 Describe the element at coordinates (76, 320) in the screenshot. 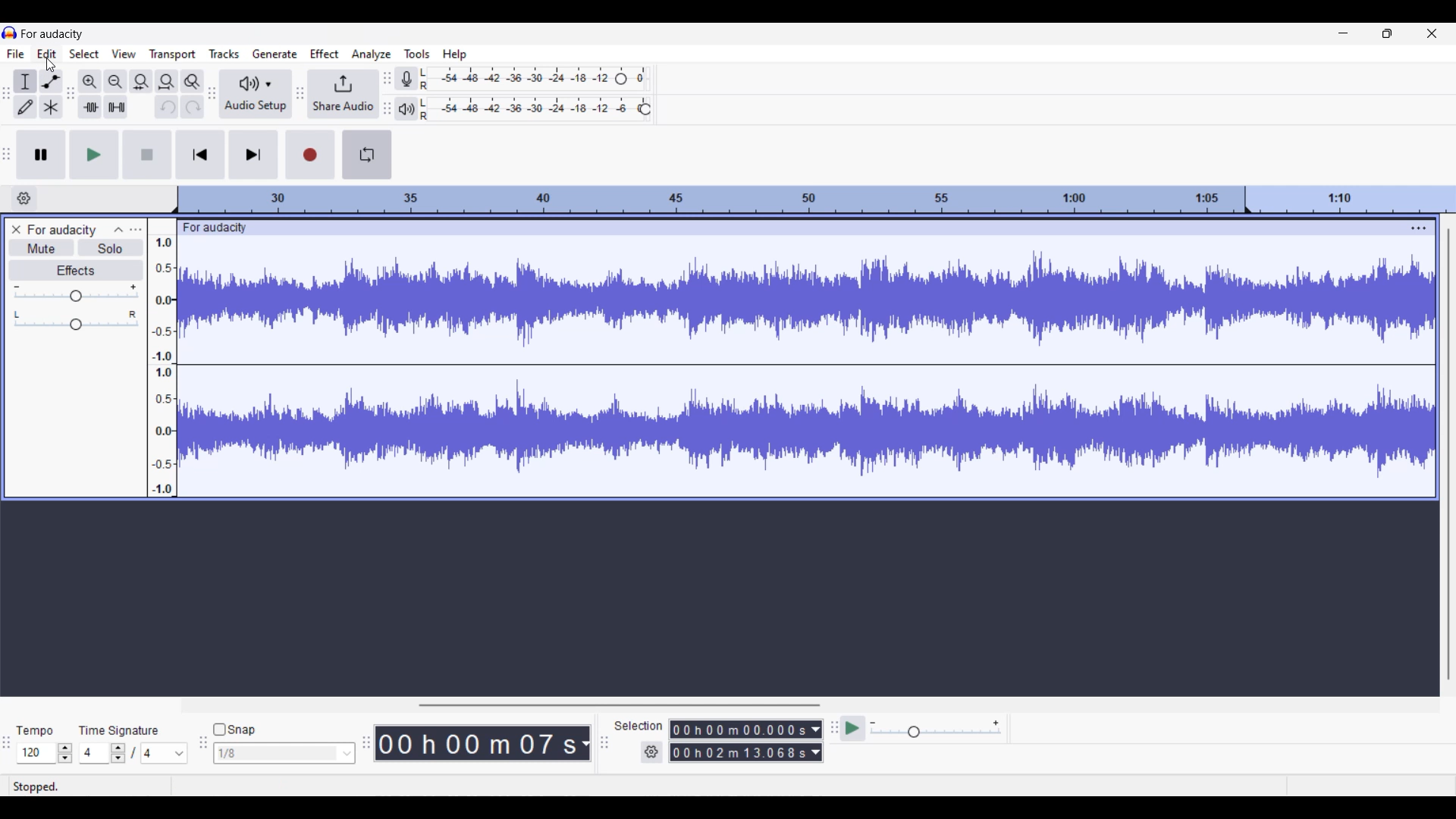

I see `Pan scale` at that location.